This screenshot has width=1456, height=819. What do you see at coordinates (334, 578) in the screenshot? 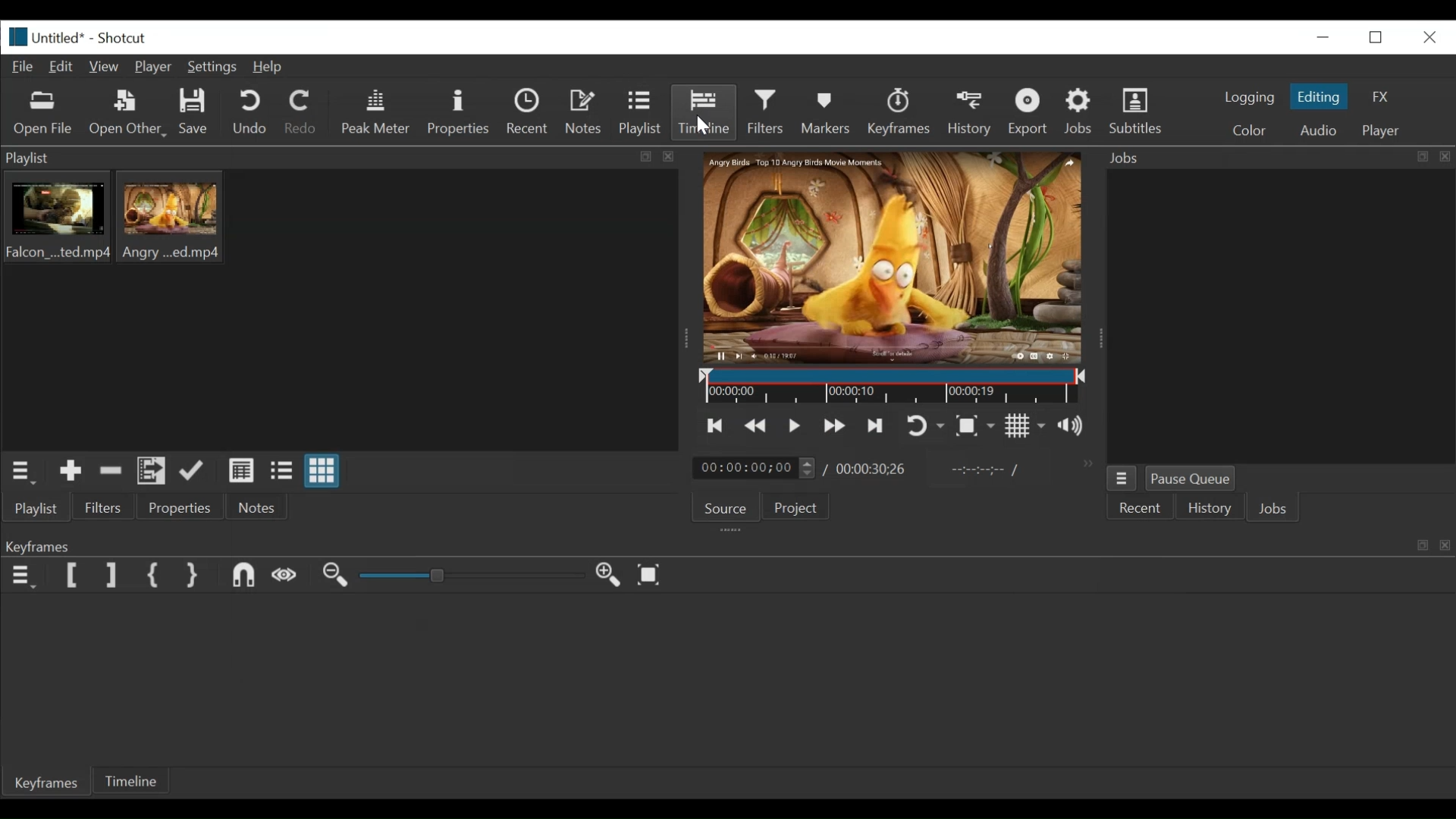
I see `zoom keyframe out` at bounding box center [334, 578].